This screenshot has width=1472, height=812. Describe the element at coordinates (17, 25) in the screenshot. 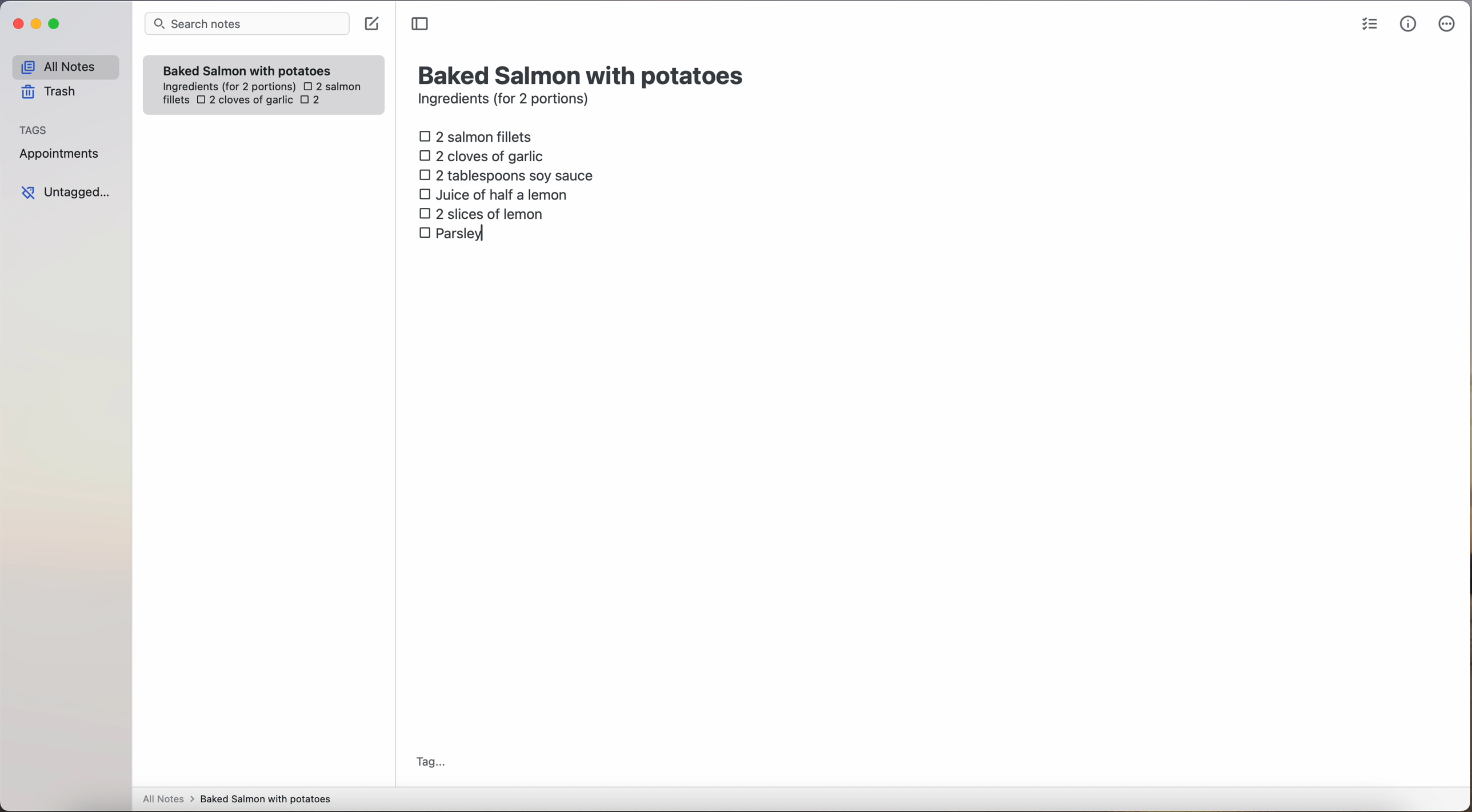

I see `close Simplenote` at that location.